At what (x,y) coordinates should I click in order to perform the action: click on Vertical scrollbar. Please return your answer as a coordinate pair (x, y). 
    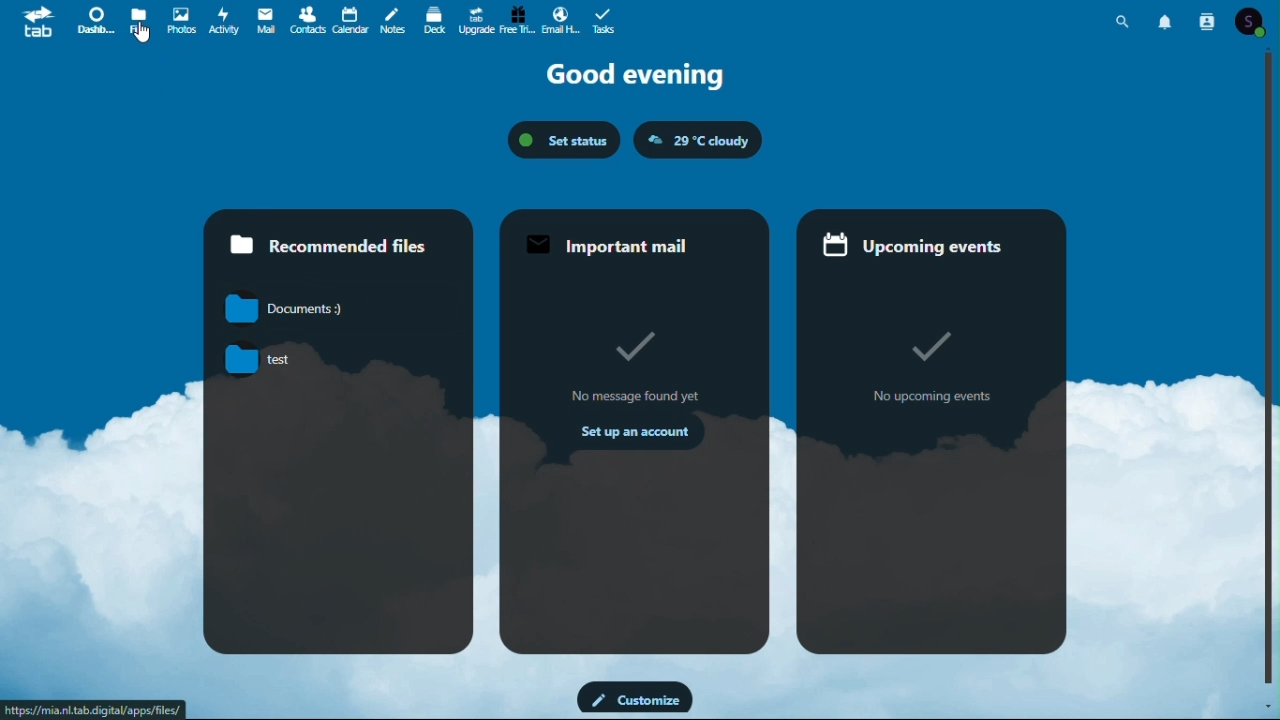
    Looking at the image, I should click on (1272, 374).